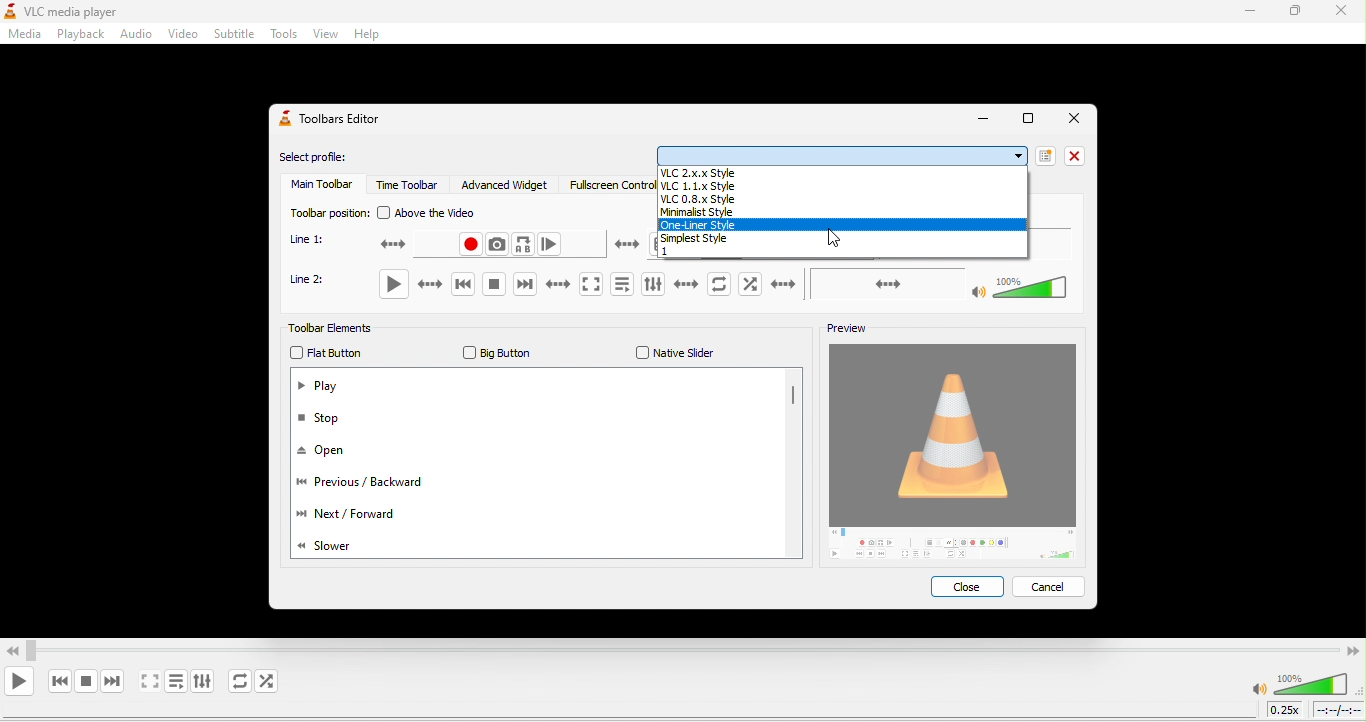 The image size is (1366, 722). I want to click on previous/backward, so click(376, 487).